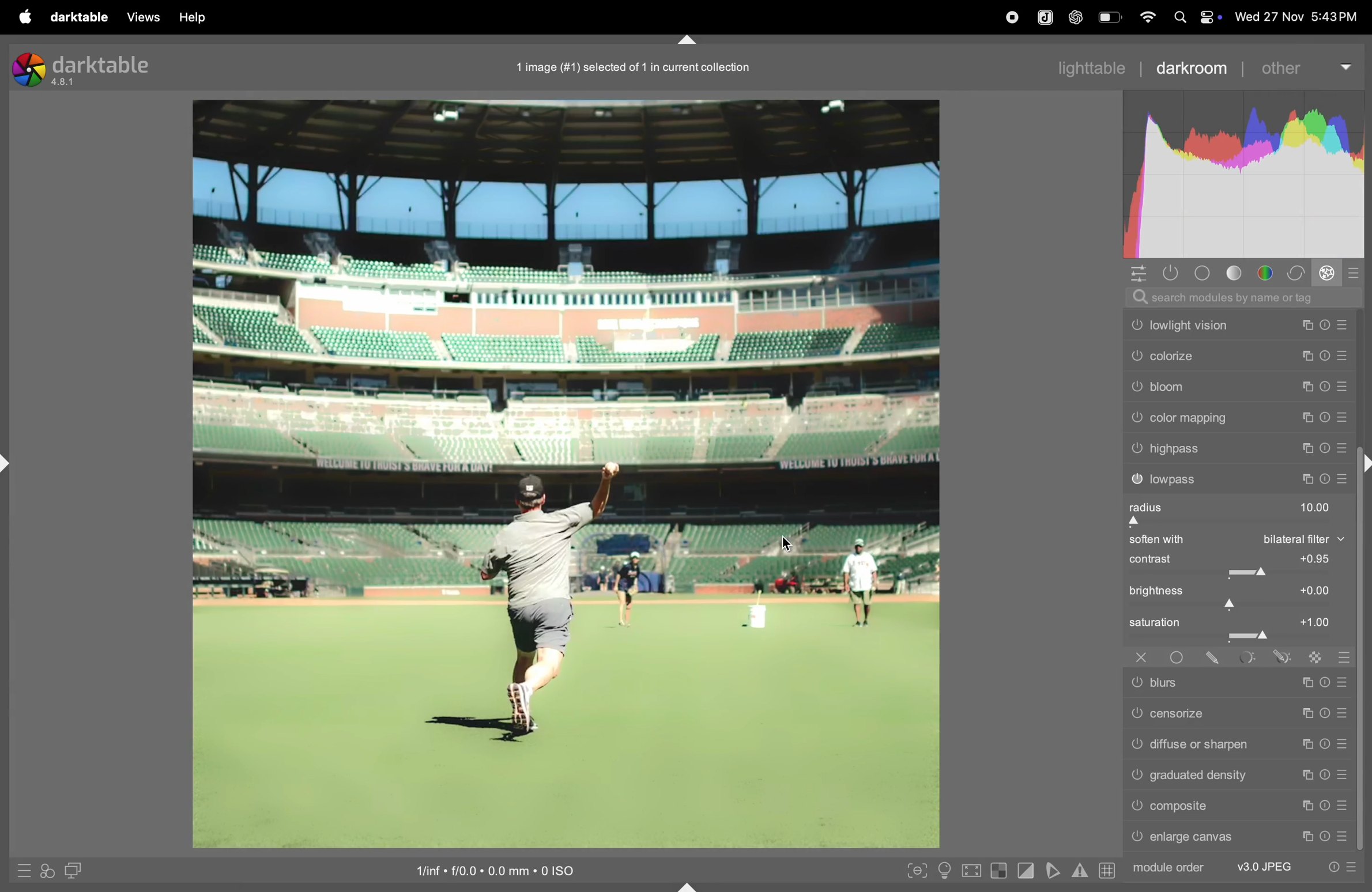 Image resolution: width=1372 pixels, height=892 pixels. Describe the element at coordinates (9, 466) in the screenshot. I see `shift+ctrl+l` at that location.